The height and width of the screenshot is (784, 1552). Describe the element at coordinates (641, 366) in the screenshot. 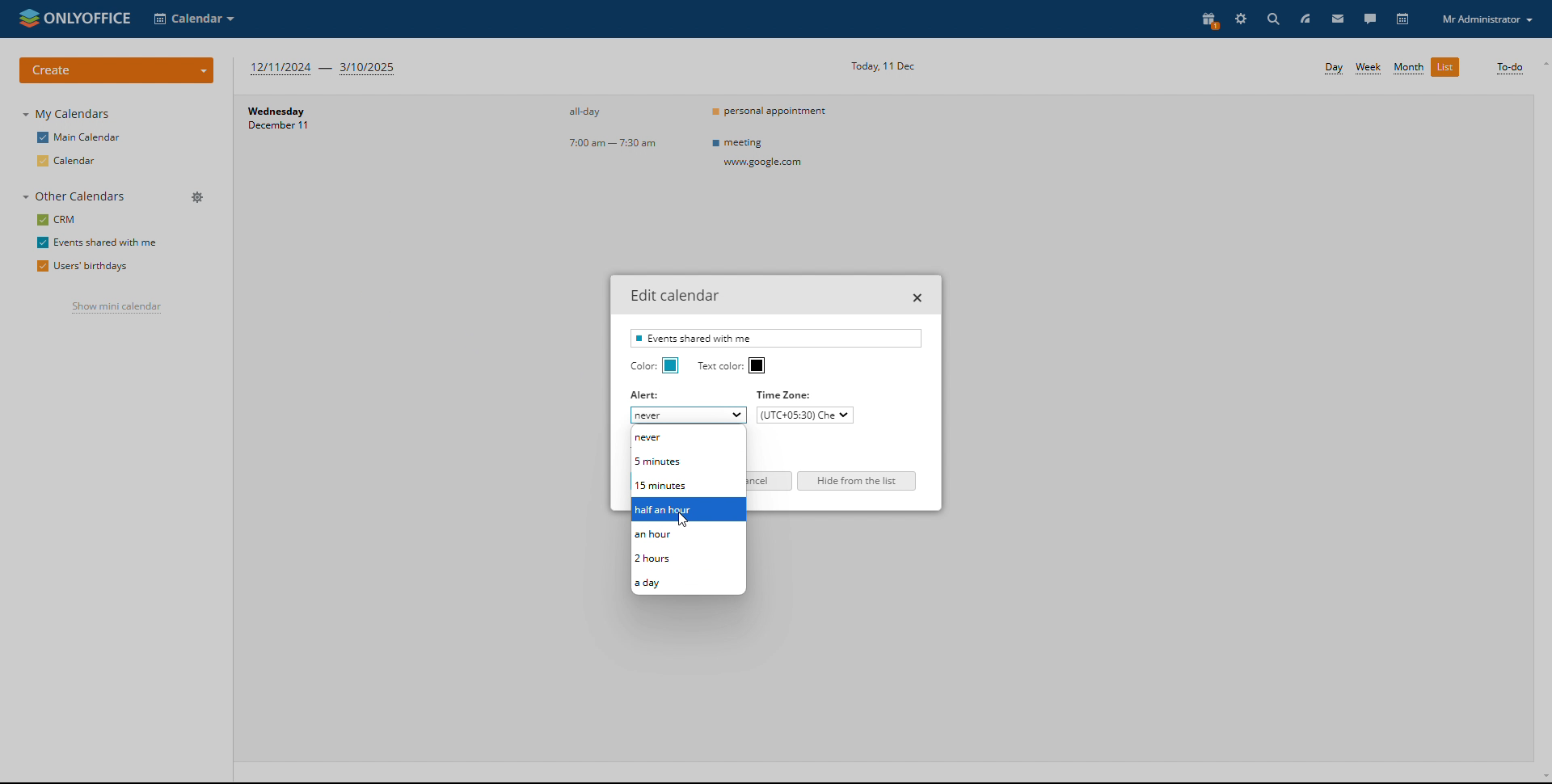

I see `Color:` at that location.